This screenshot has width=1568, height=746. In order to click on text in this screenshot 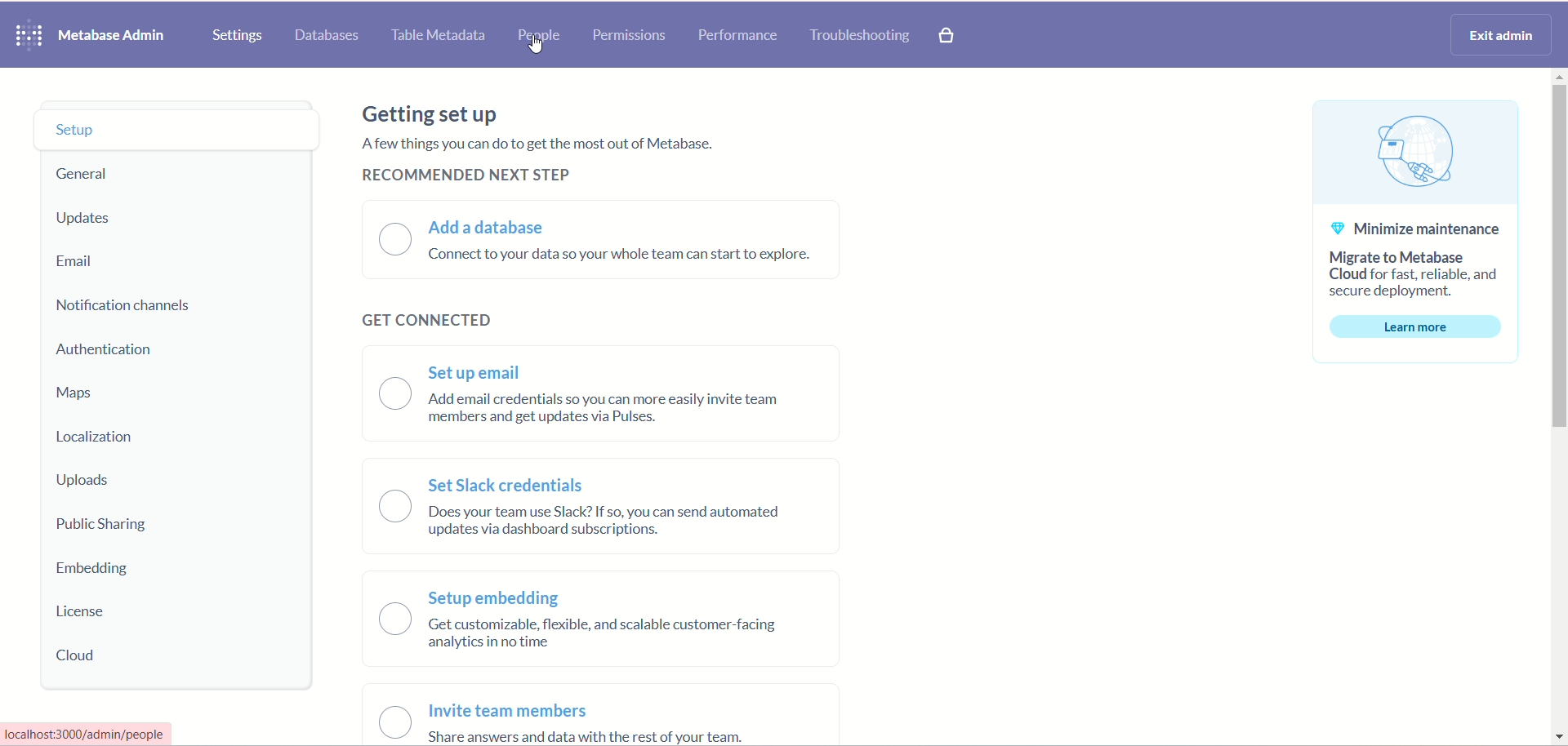, I will do `click(625, 257)`.